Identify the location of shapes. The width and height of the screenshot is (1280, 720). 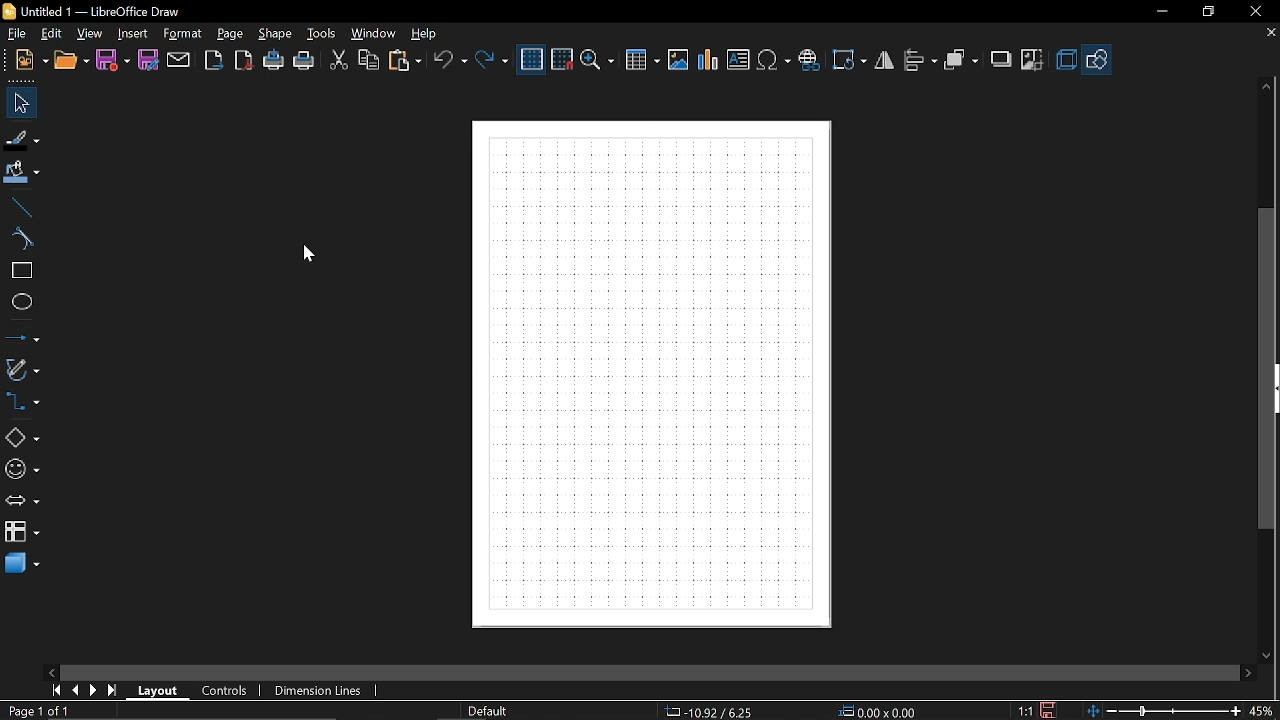
(1096, 60).